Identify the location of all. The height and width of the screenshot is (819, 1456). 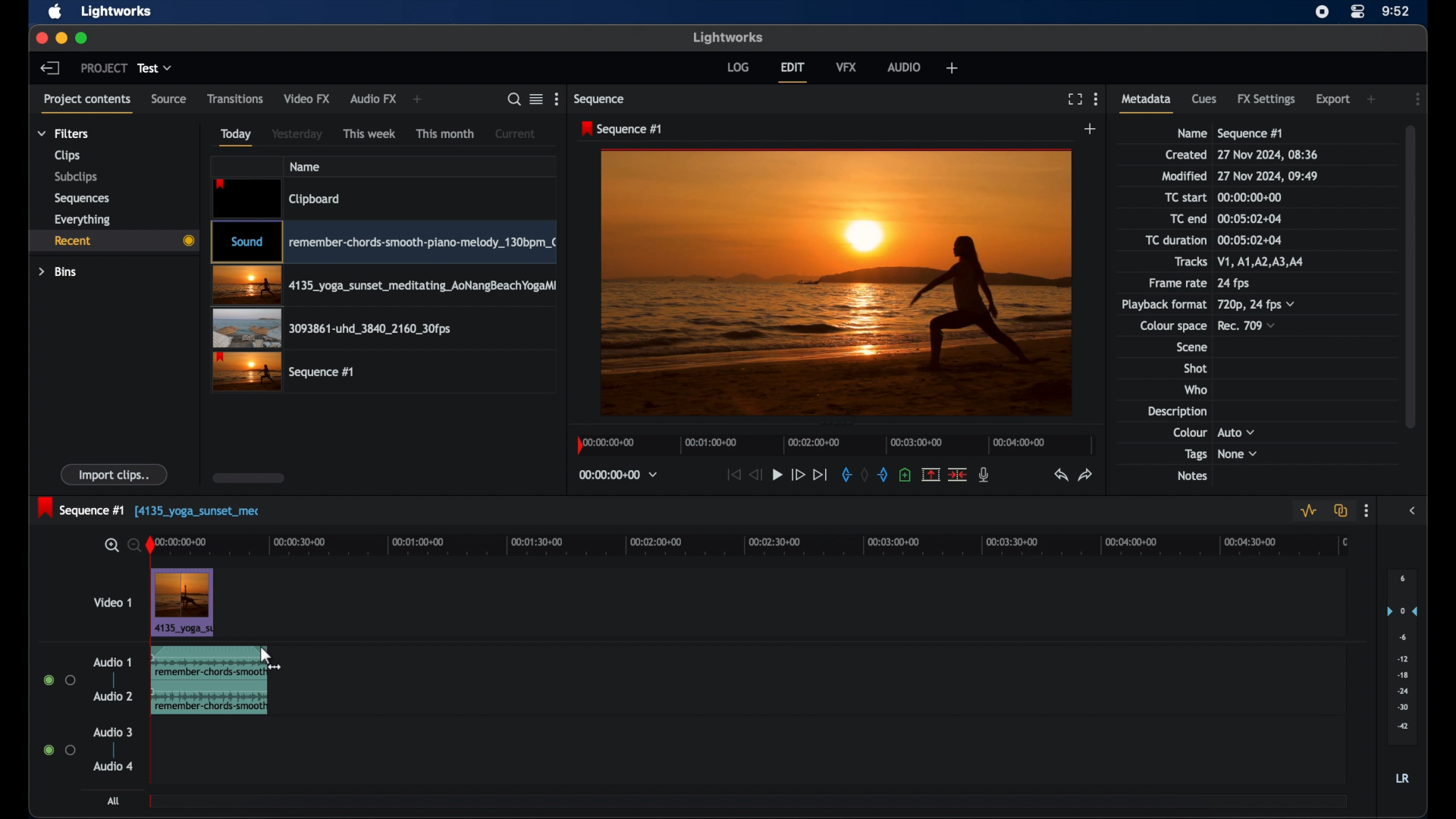
(115, 801).